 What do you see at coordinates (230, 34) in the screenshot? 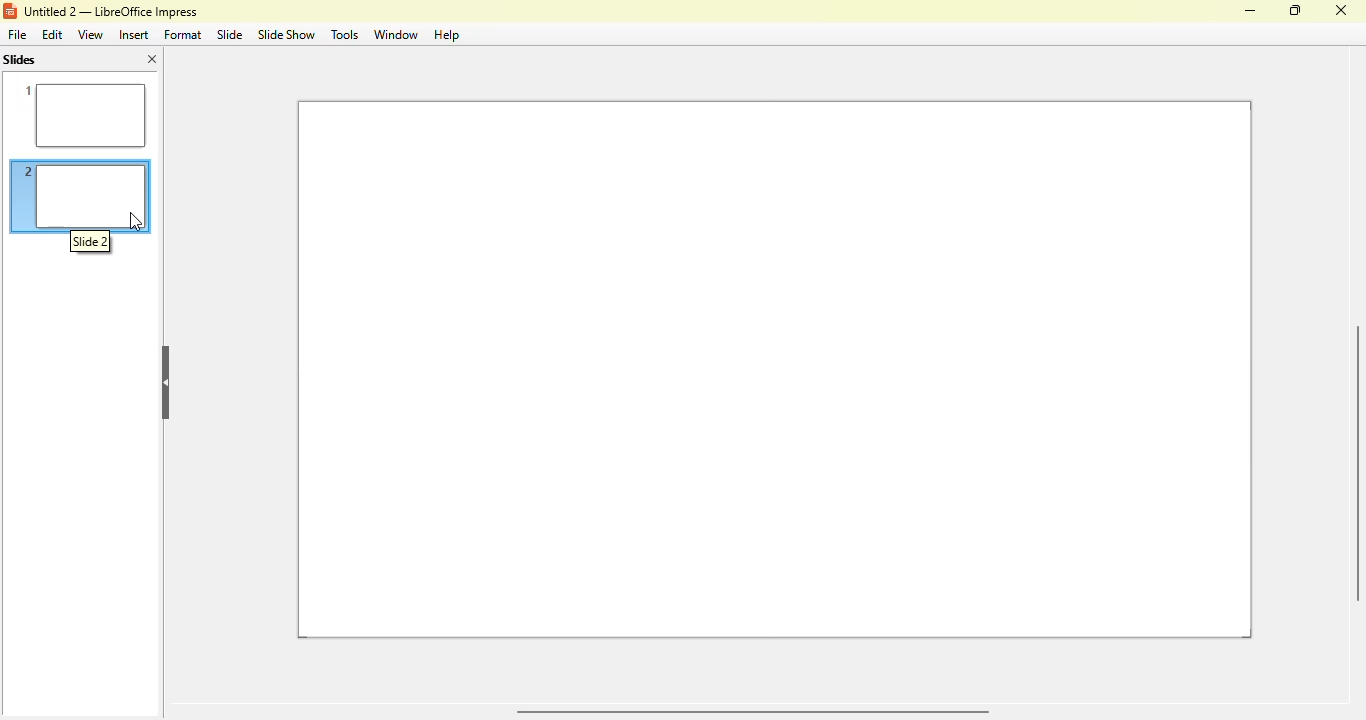
I see `slide` at bounding box center [230, 34].